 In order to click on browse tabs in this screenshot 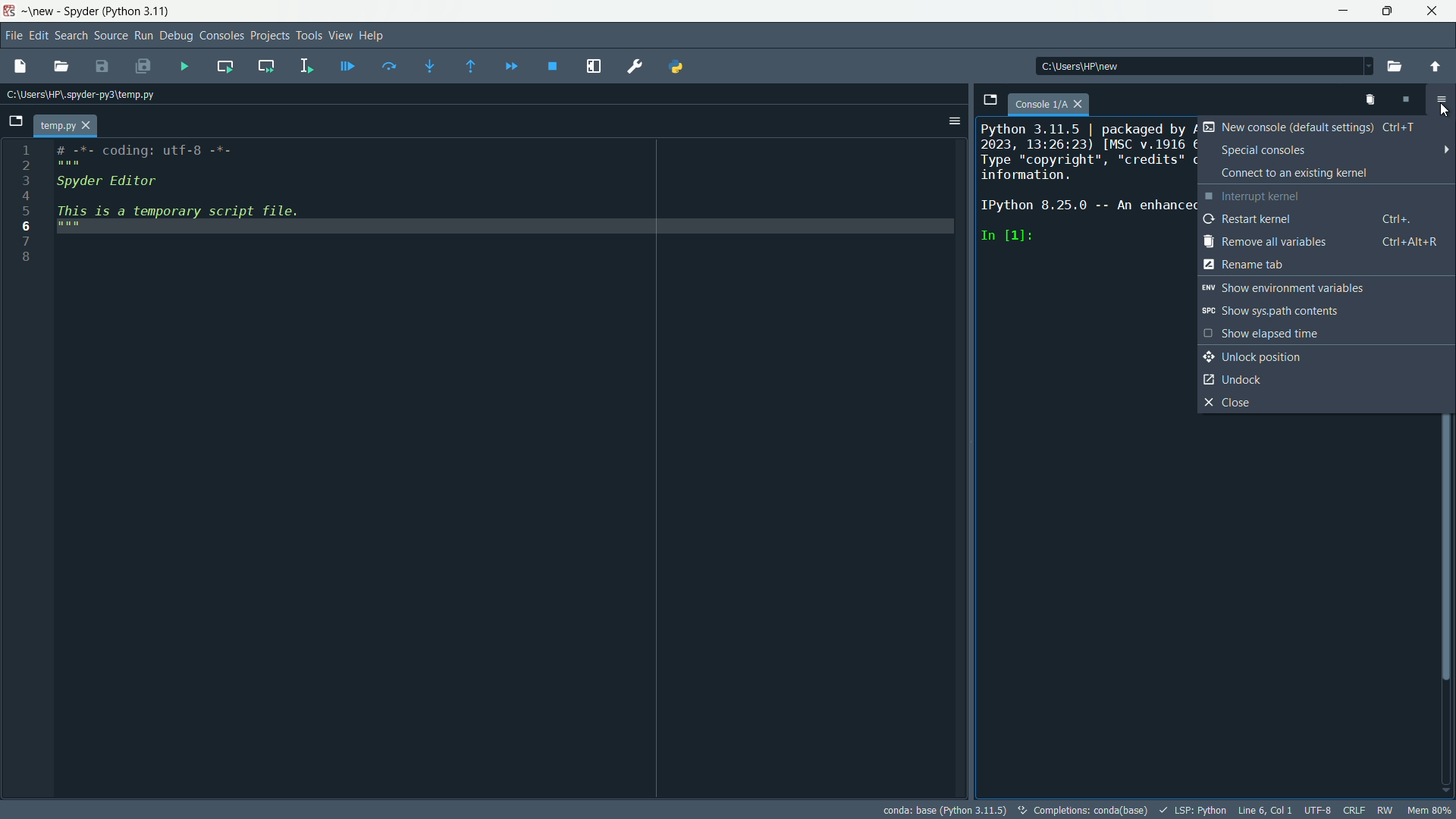, I will do `click(990, 101)`.